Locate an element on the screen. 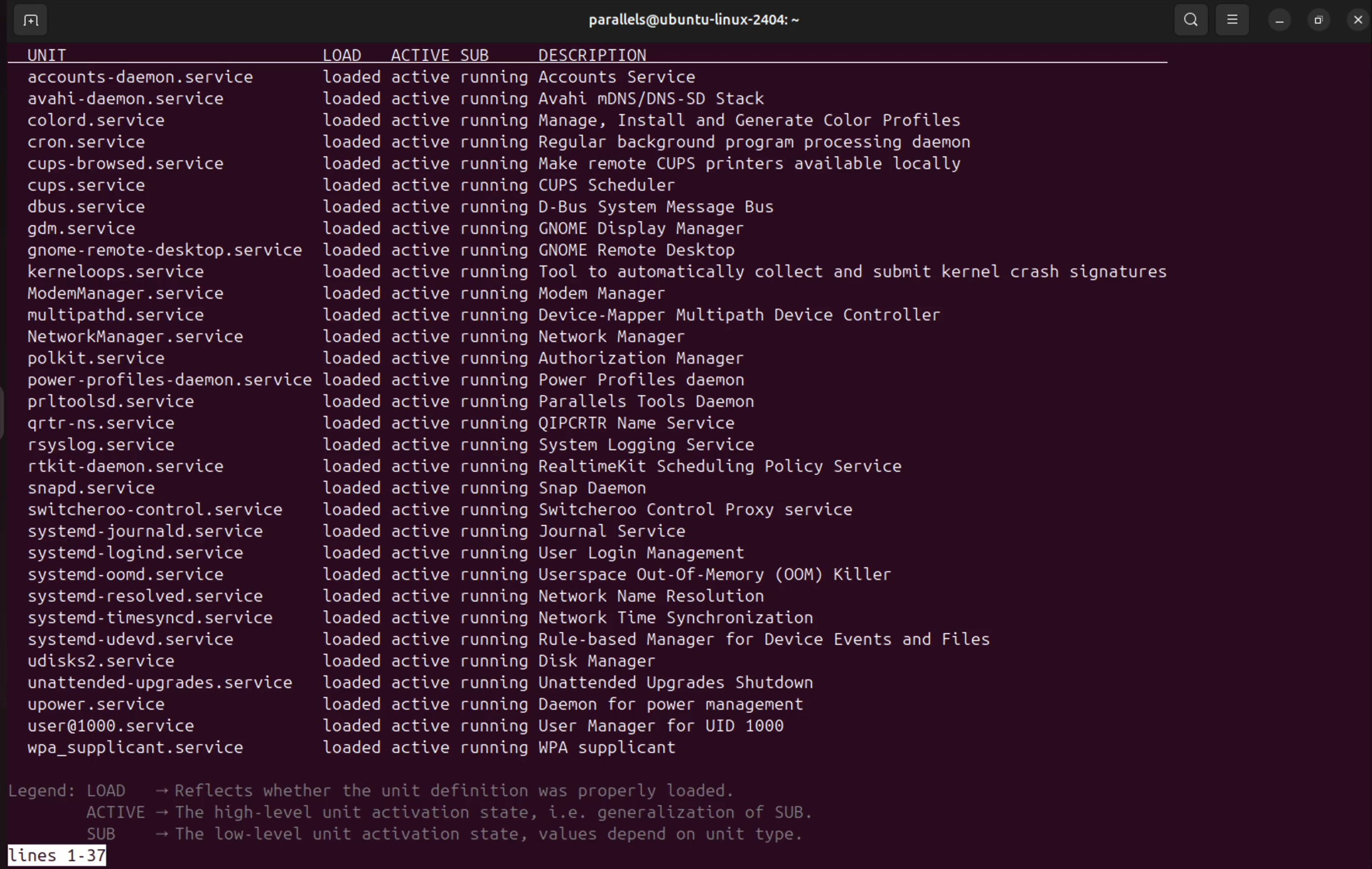  unit is located at coordinates (54, 54).